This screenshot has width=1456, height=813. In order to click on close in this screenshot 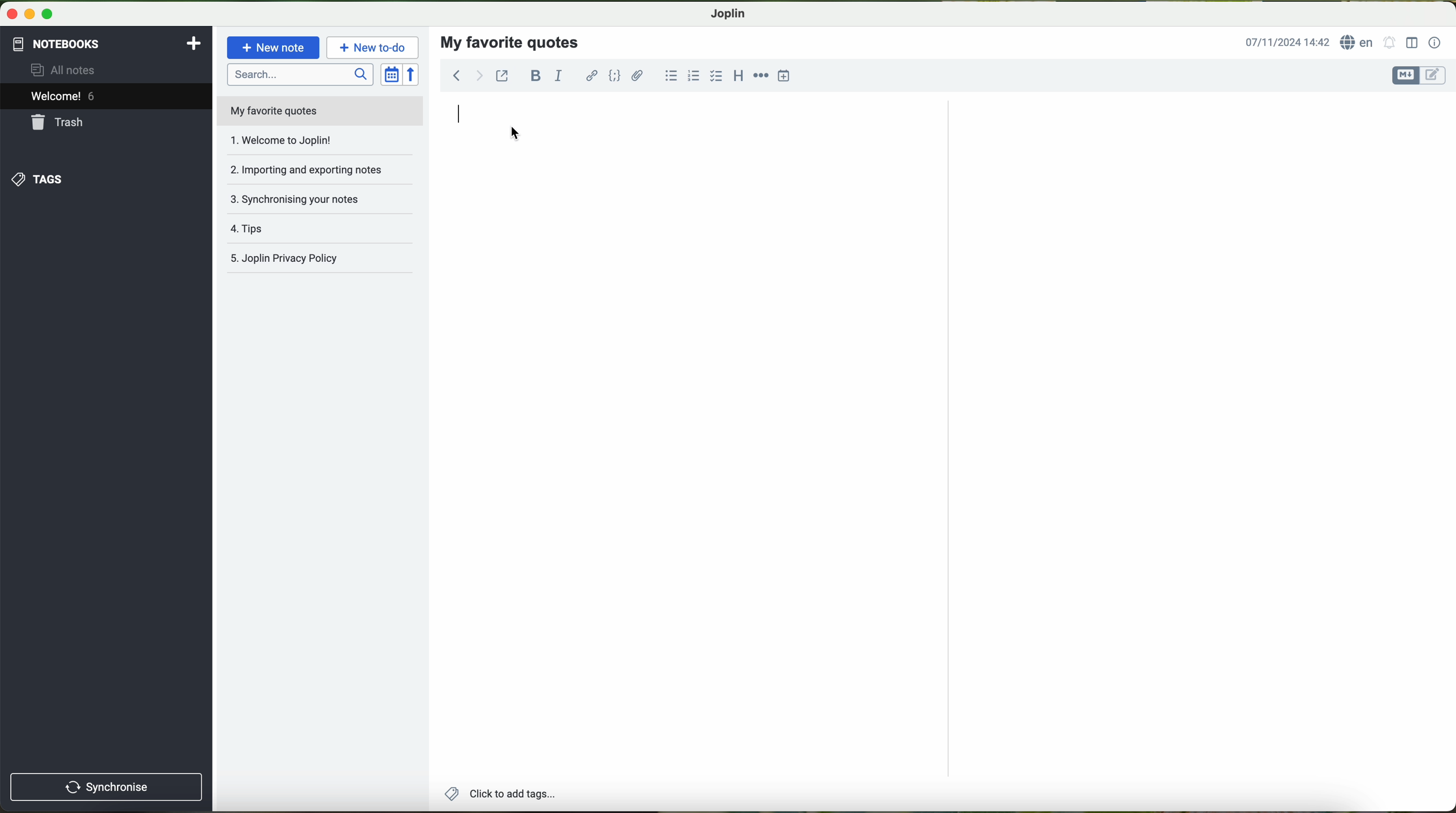, I will do `click(9, 16)`.